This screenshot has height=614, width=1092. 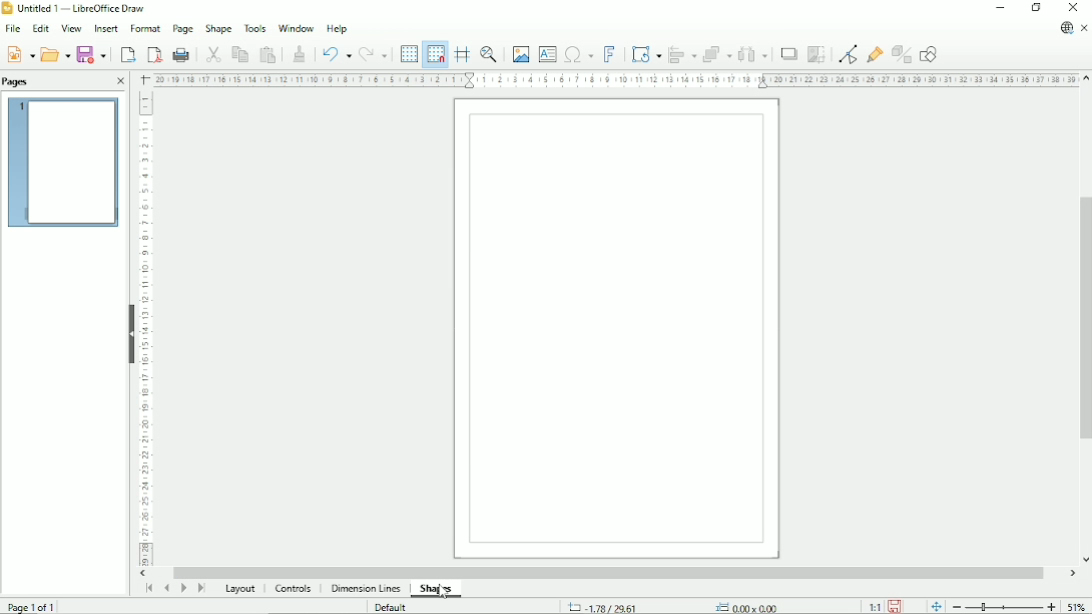 What do you see at coordinates (145, 29) in the screenshot?
I see `Format` at bounding box center [145, 29].